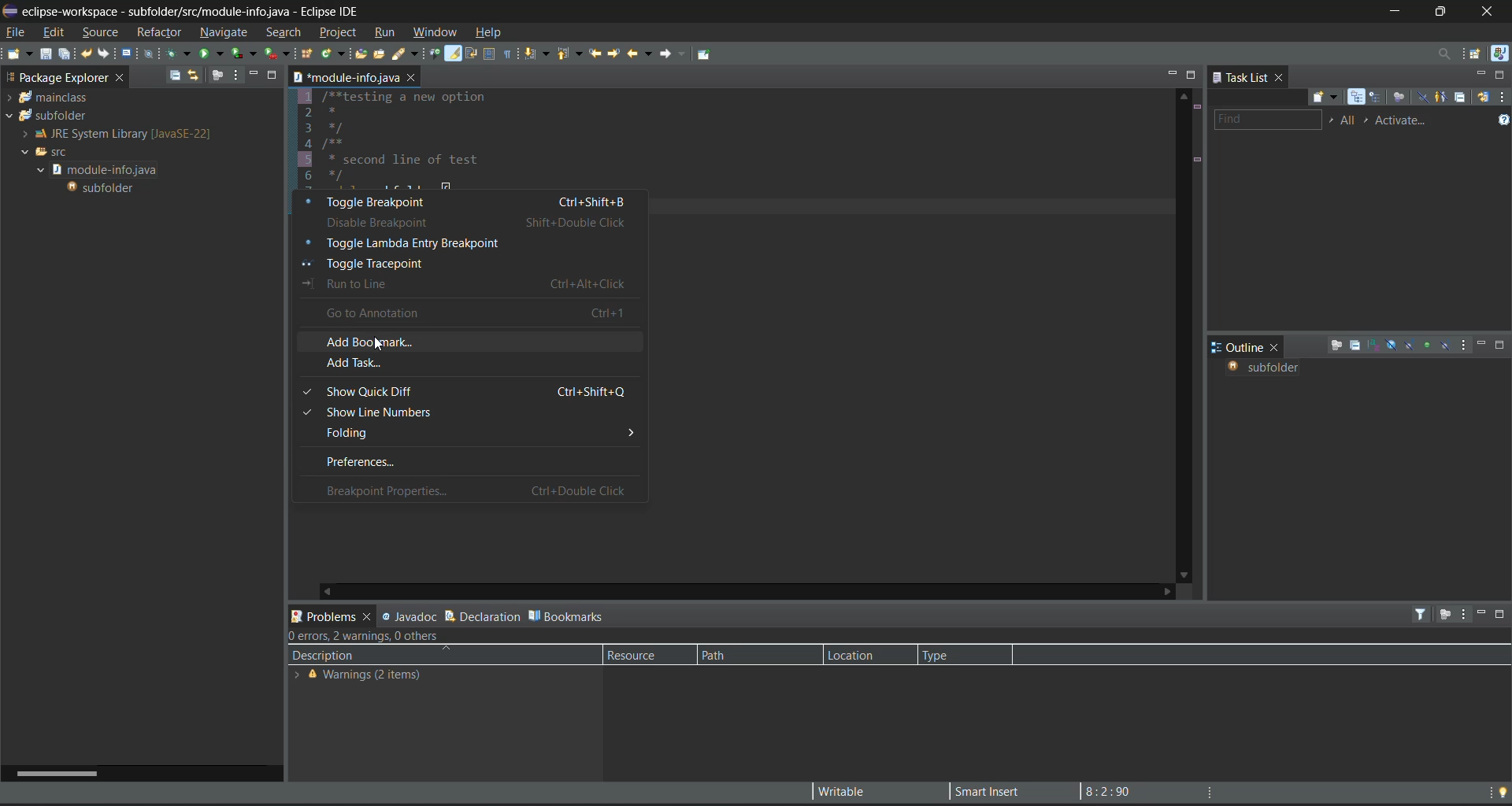 Image resolution: width=1512 pixels, height=806 pixels. What do you see at coordinates (472, 201) in the screenshot?
I see `toggle breakpoint` at bounding box center [472, 201].